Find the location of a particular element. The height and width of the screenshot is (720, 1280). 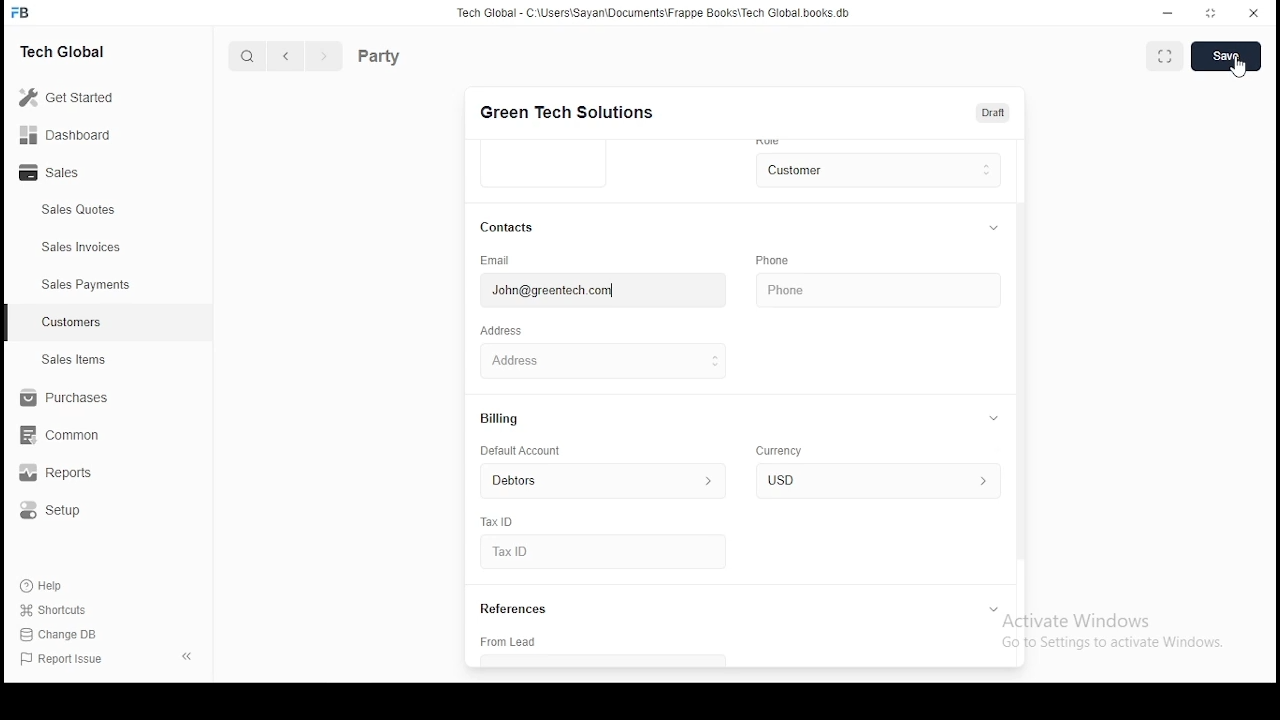

shortcuts is located at coordinates (52, 611).